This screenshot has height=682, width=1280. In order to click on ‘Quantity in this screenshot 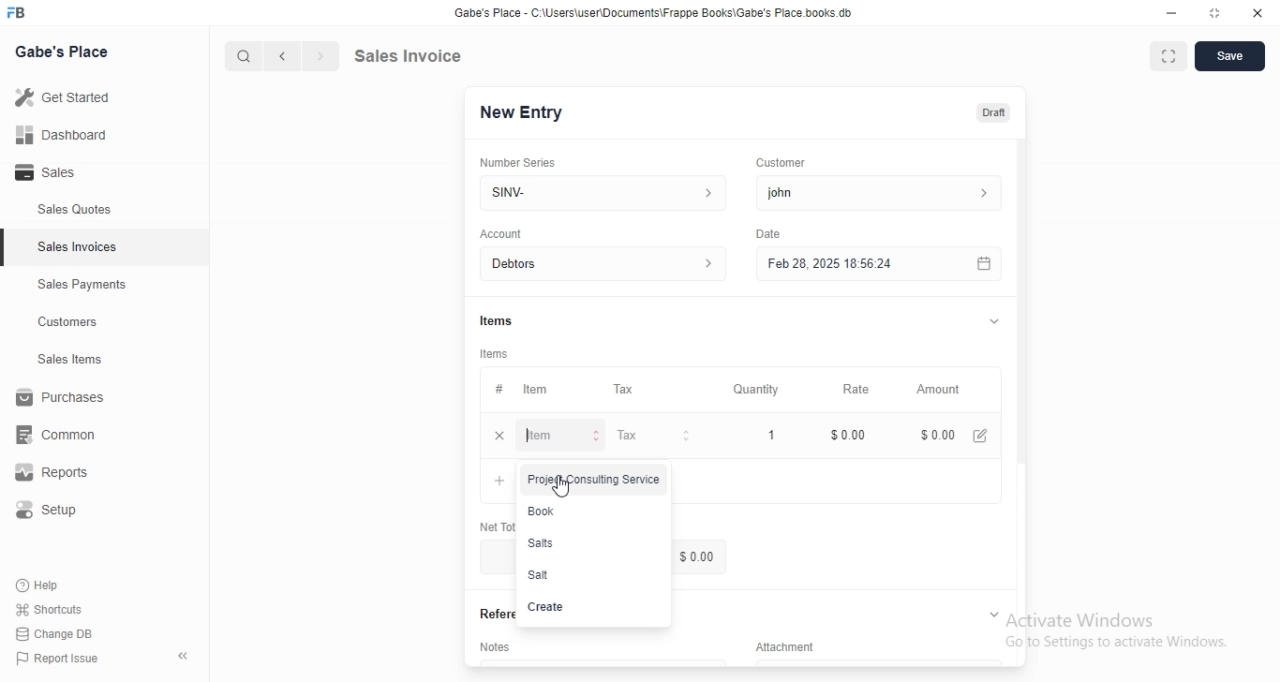, I will do `click(755, 389)`.